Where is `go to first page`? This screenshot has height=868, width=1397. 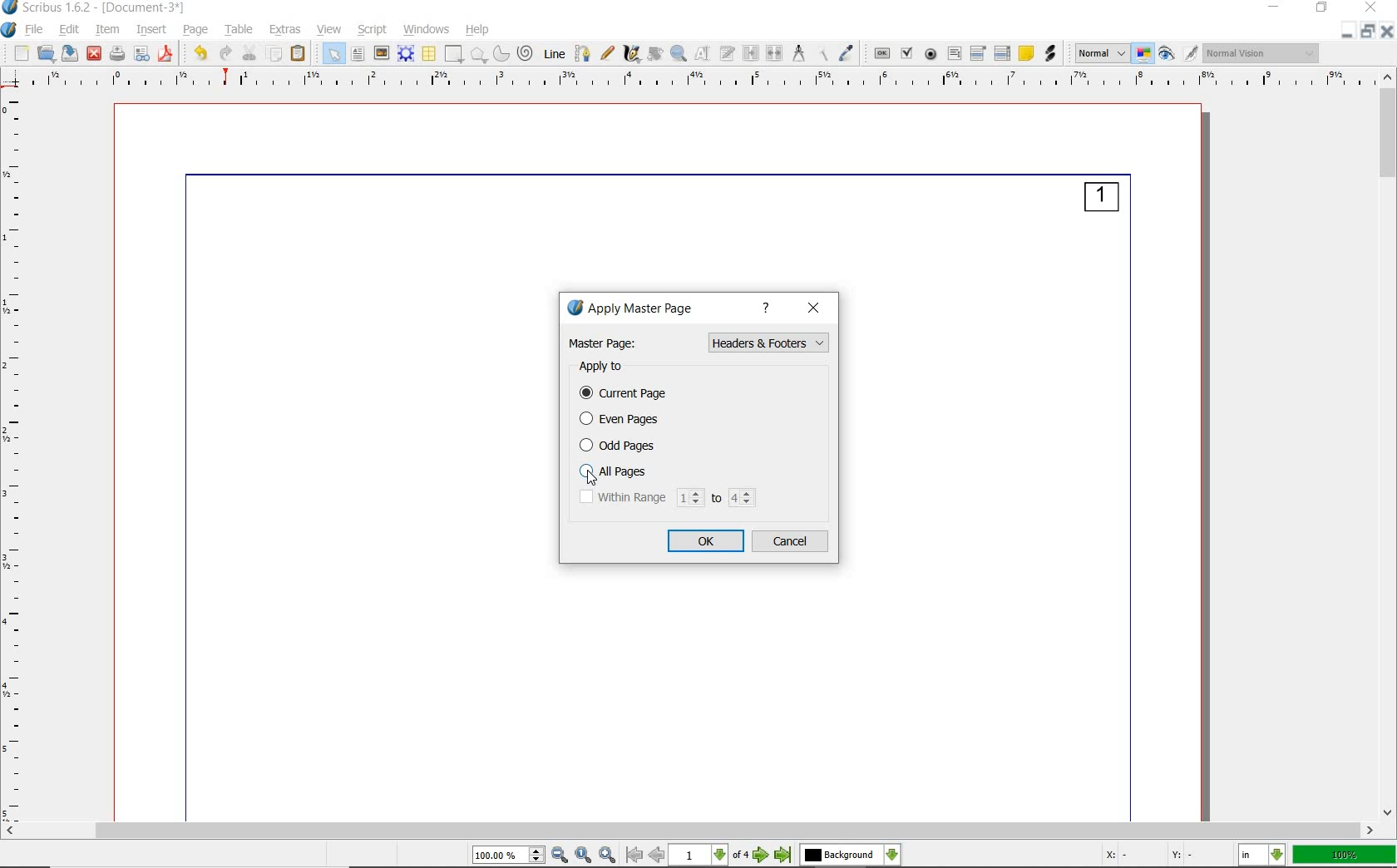 go to first page is located at coordinates (634, 856).